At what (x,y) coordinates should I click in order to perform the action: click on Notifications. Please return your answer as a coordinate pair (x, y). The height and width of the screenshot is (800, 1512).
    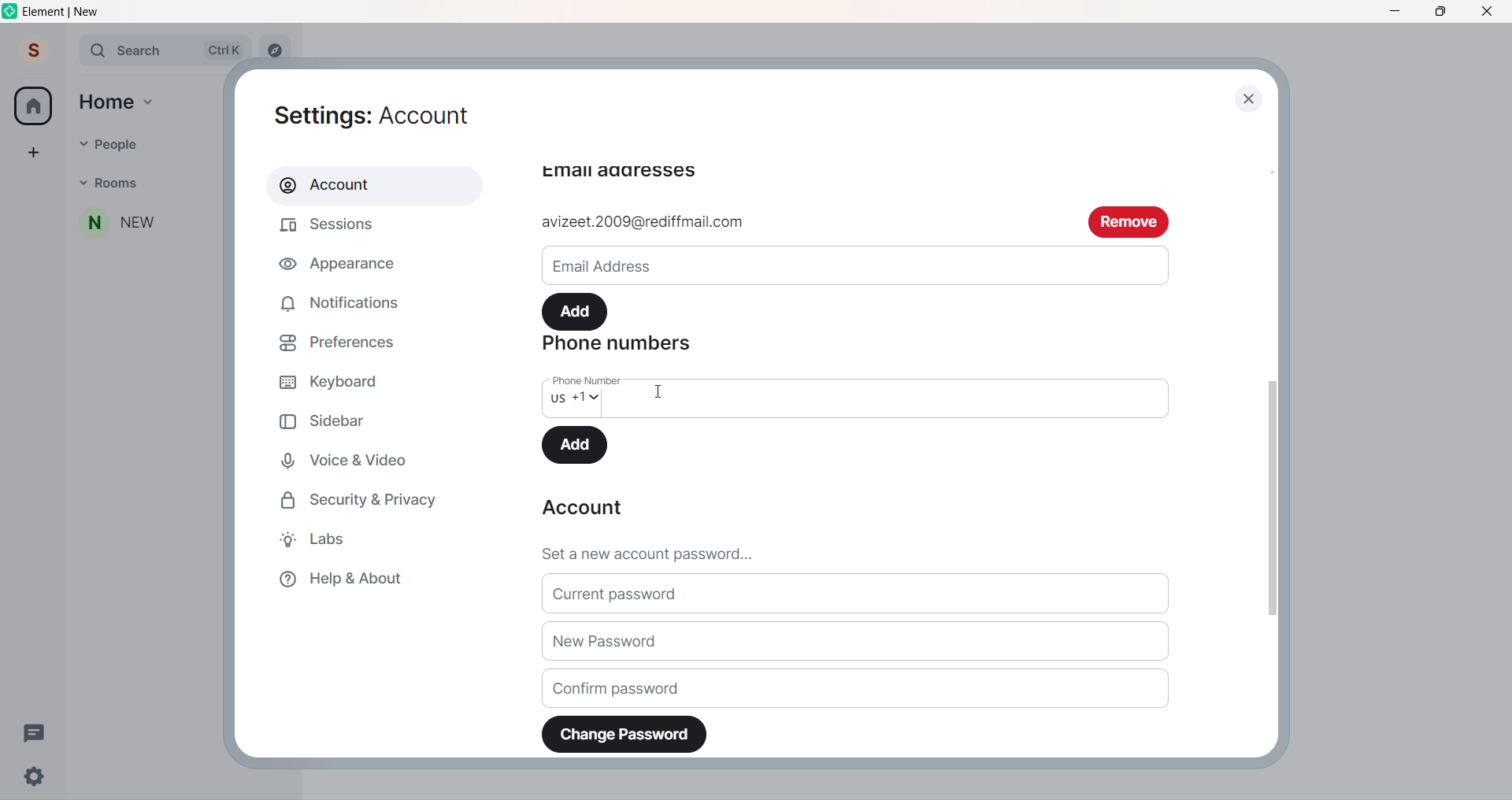
    Looking at the image, I should click on (346, 300).